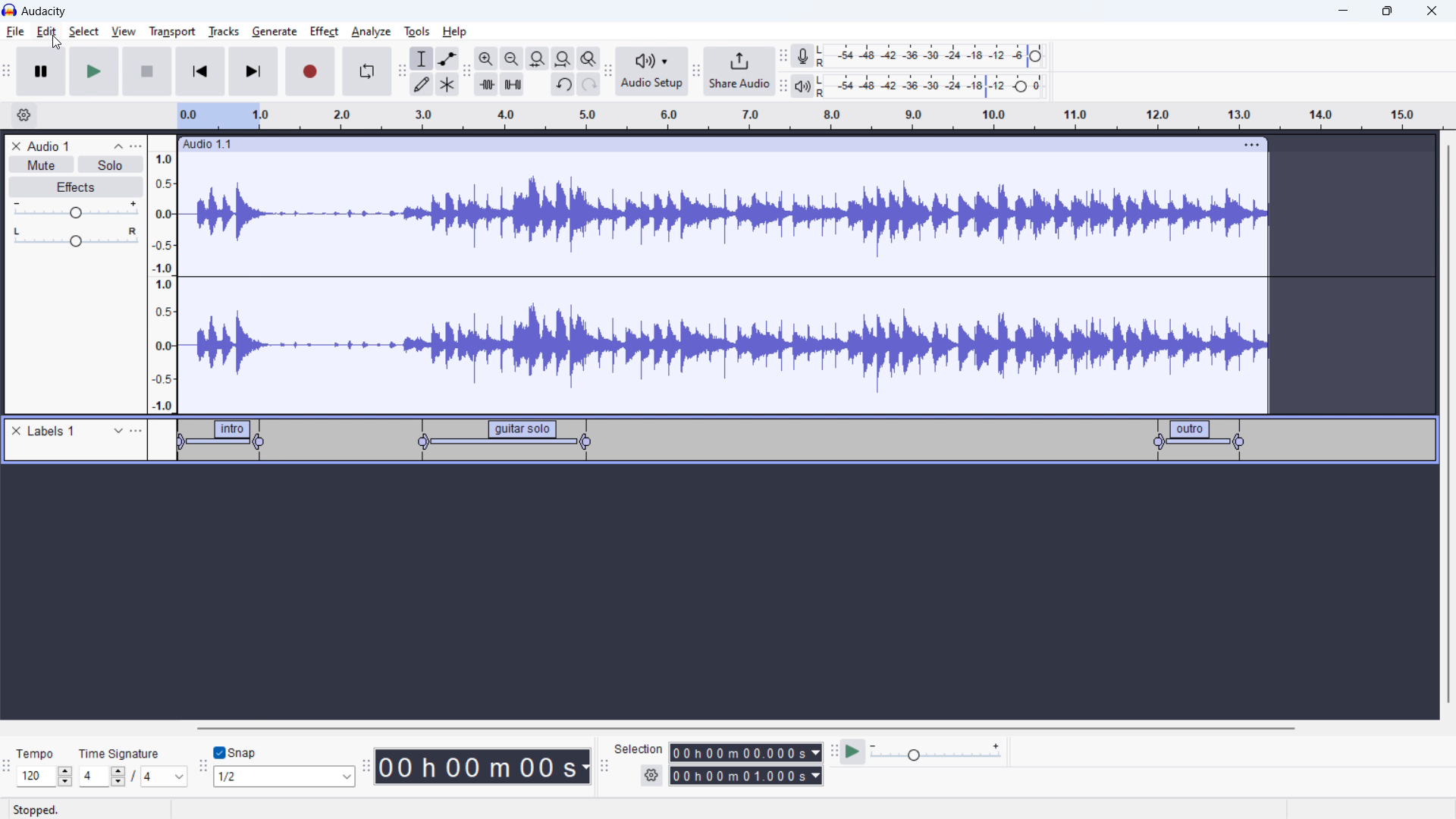 The image size is (1456, 819). I want to click on enable loop, so click(366, 71).